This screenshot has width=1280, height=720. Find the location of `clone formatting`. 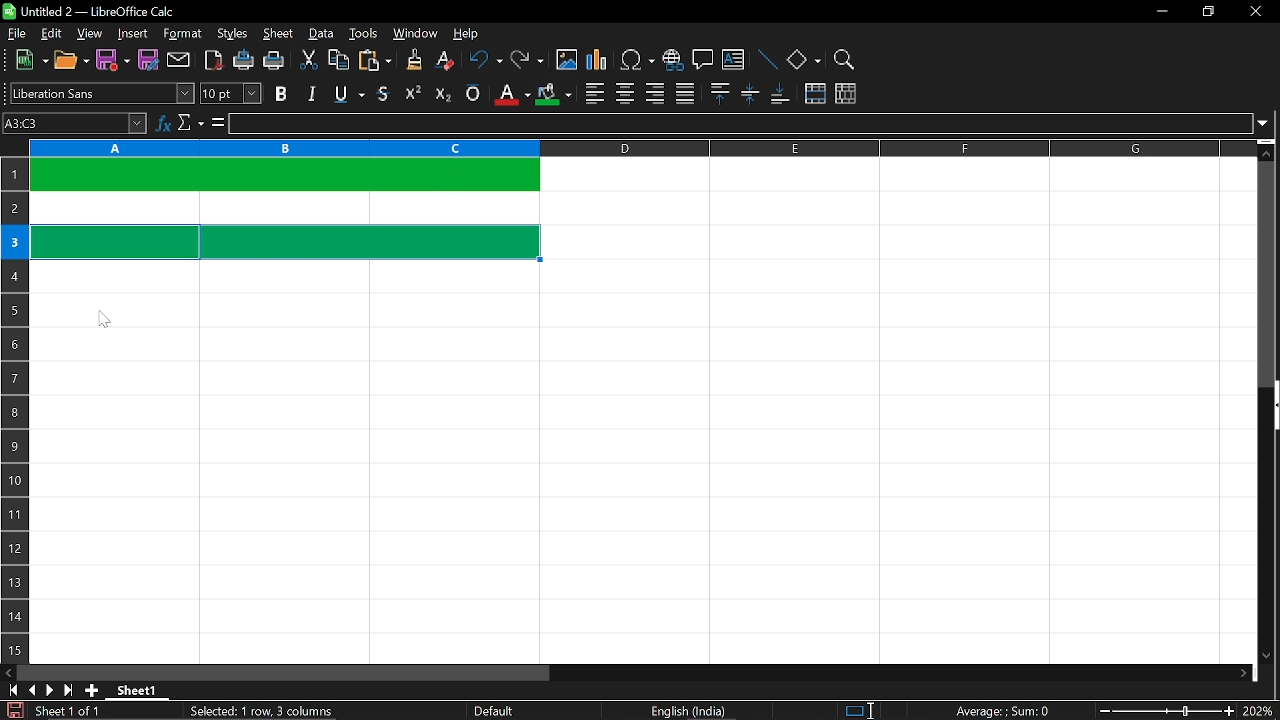

clone formatting is located at coordinates (409, 60).